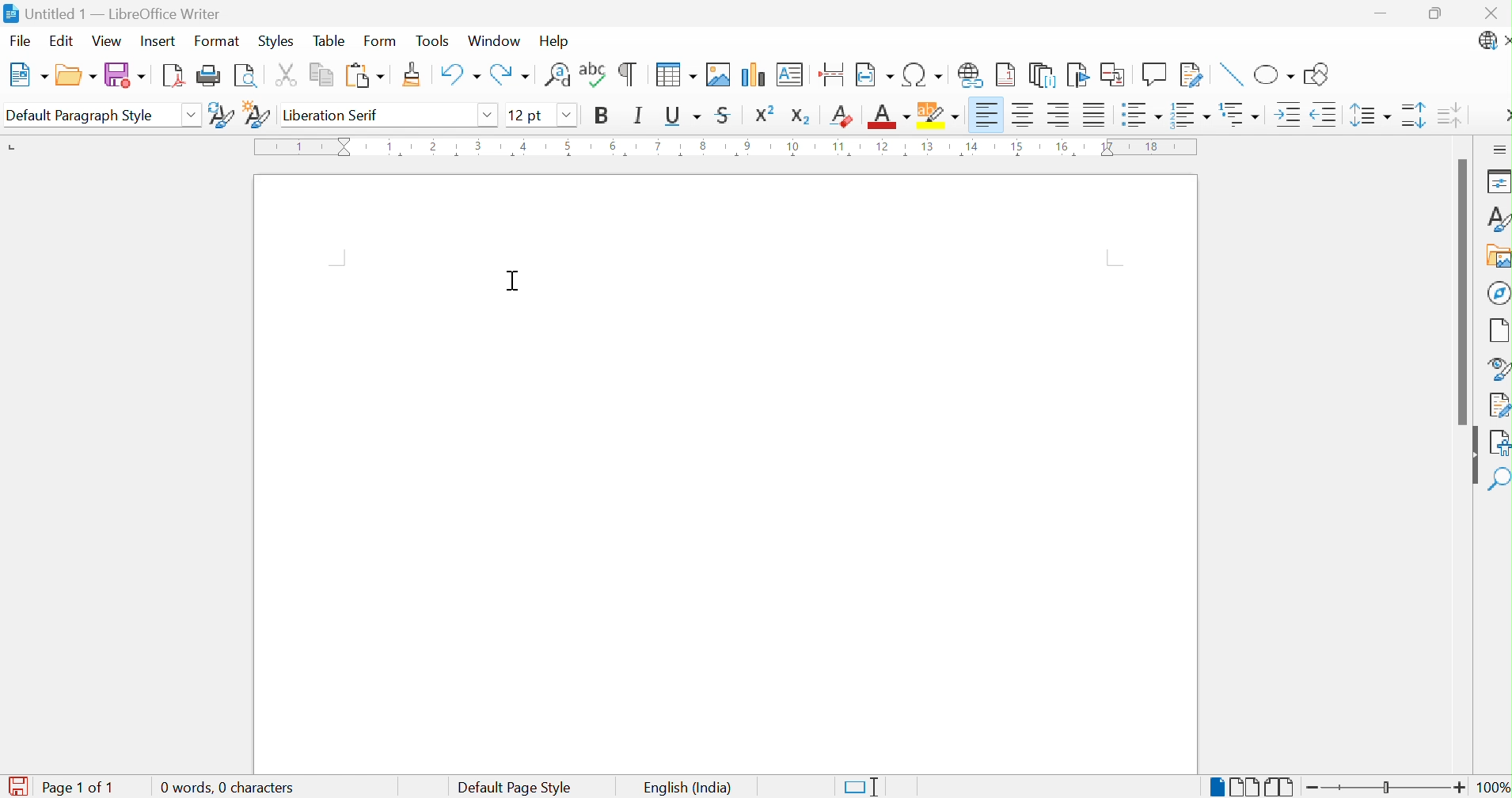 This screenshot has height=798, width=1512. I want to click on Export as PDF, so click(173, 76).